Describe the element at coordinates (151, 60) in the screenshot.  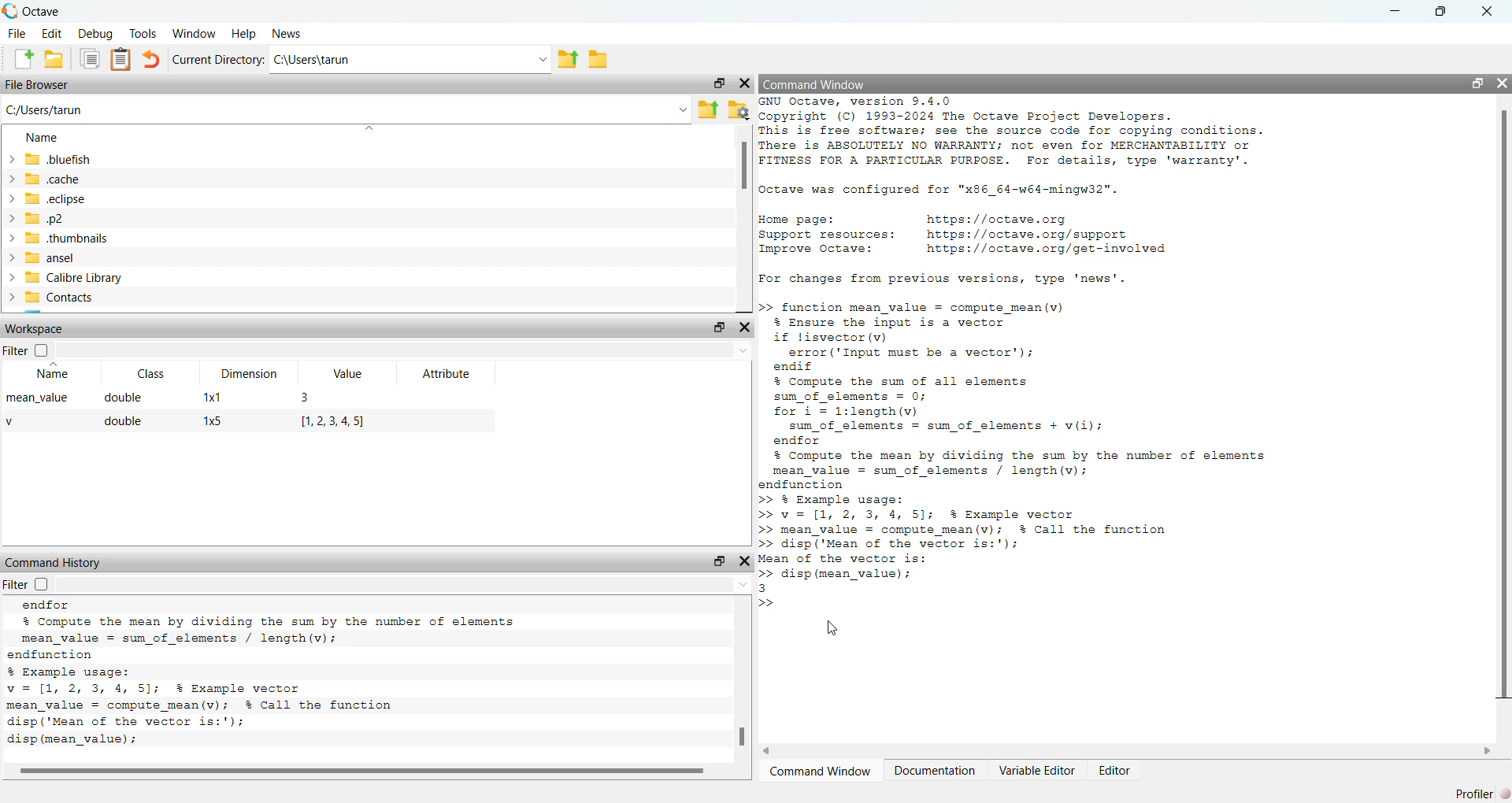
I see `undo` at that location.